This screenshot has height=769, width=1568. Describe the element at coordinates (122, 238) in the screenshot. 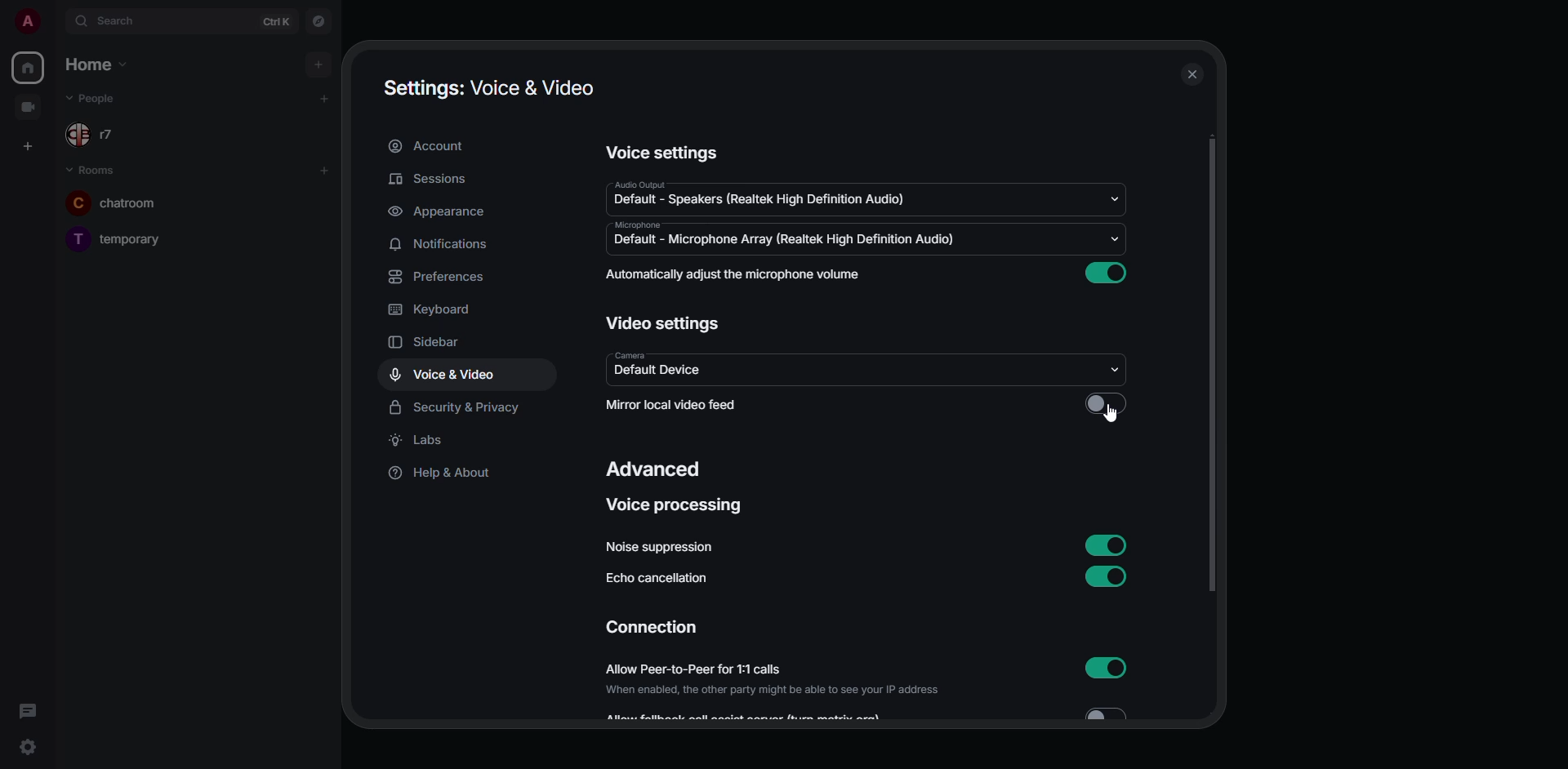

I see `temporary` at that location.